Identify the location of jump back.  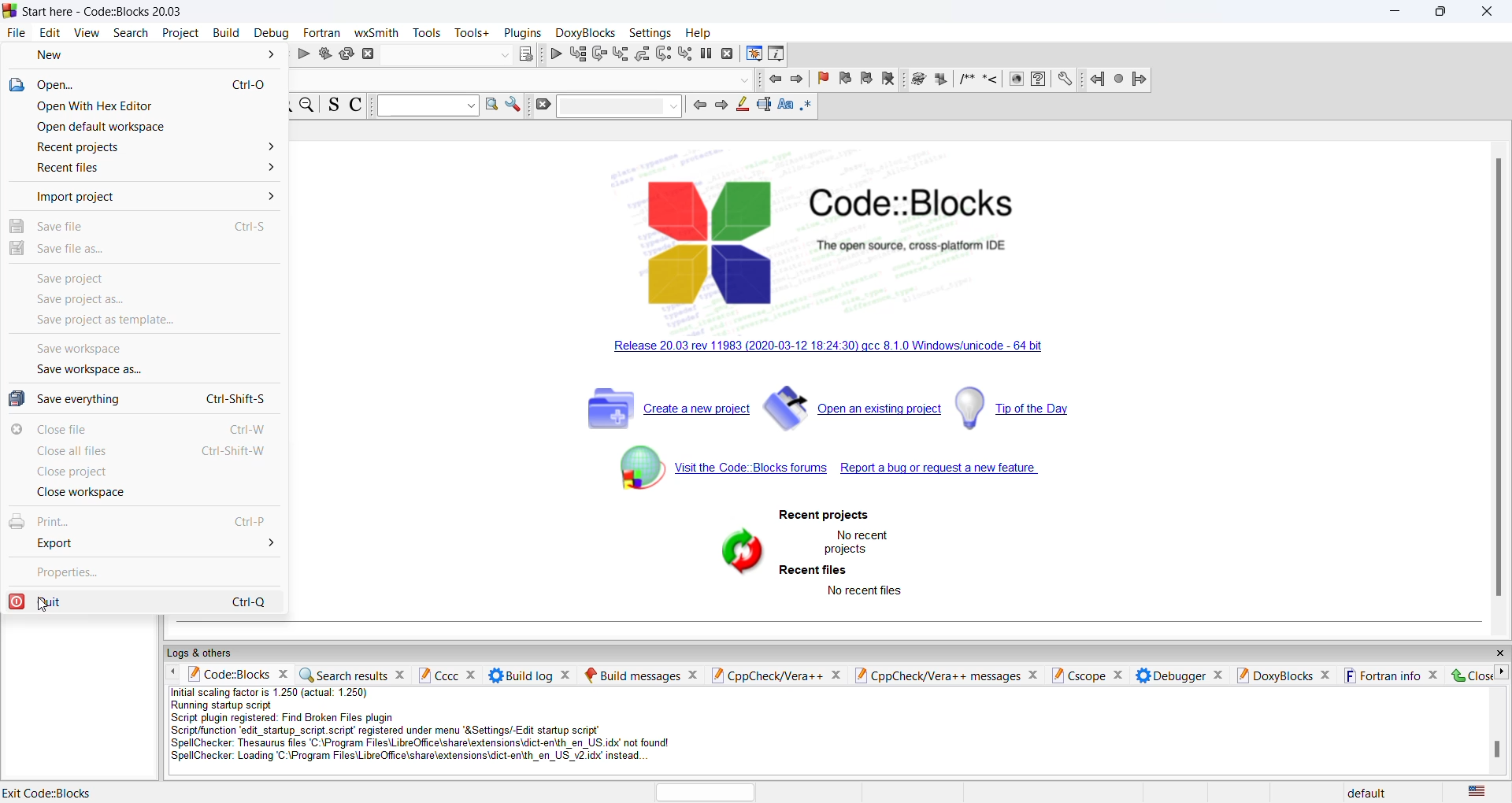
(773, 80).